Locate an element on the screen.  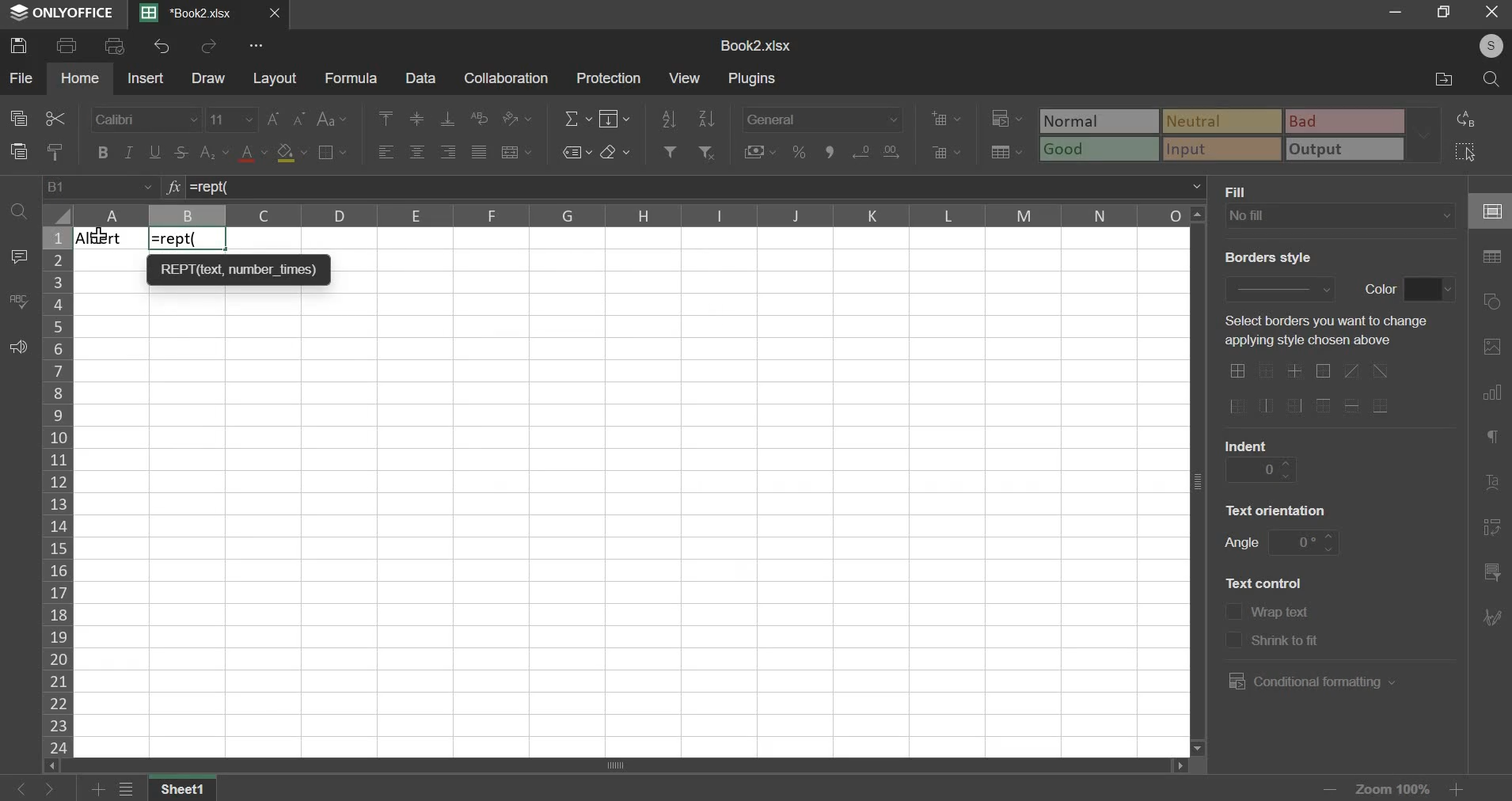
verticle scroll bar is located at coordinates (1202, 480).